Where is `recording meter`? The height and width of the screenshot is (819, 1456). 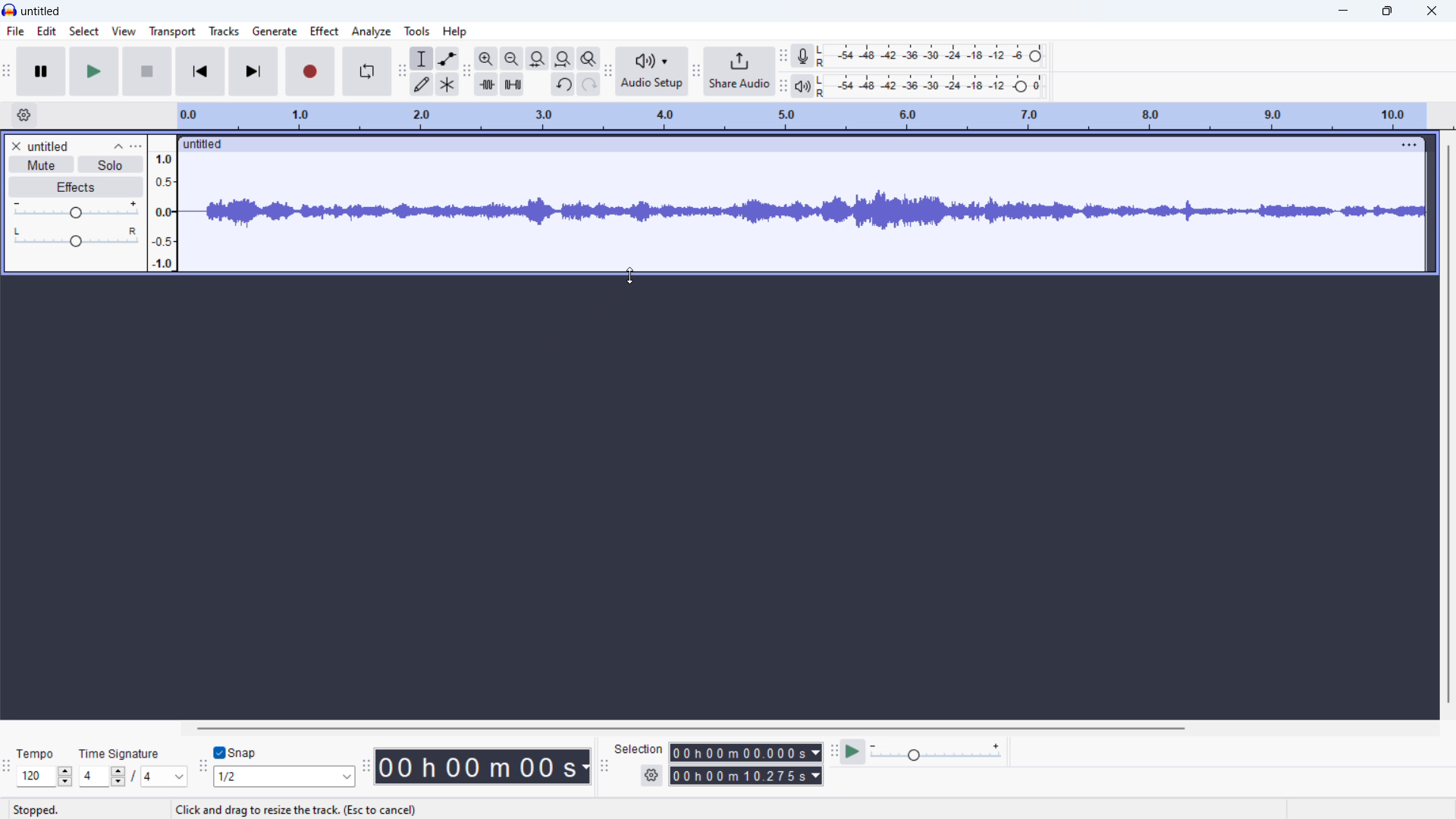
recording meter is located at coordinates (804, 56).